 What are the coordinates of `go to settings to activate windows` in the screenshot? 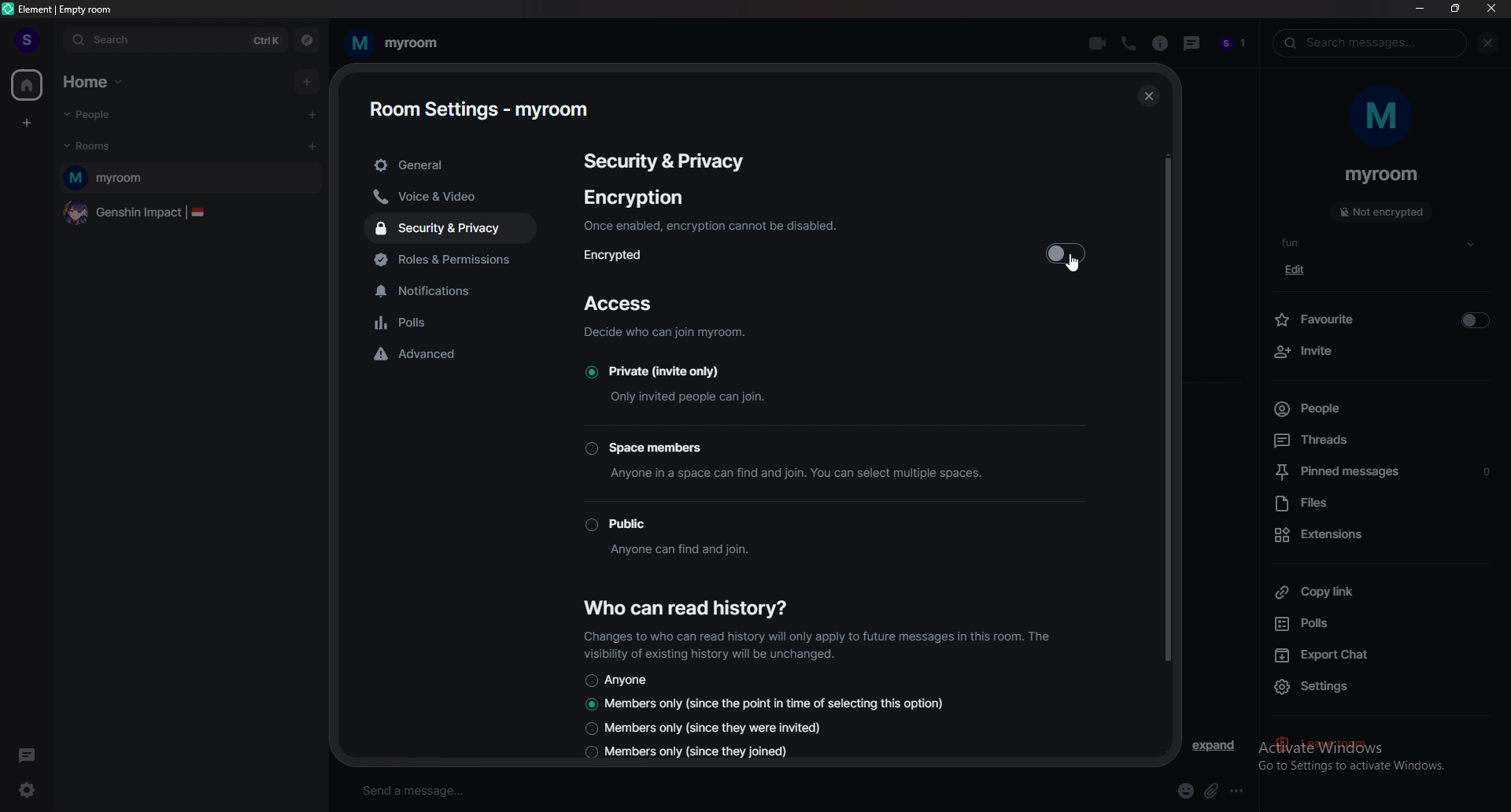 It's located at (1384, 769).